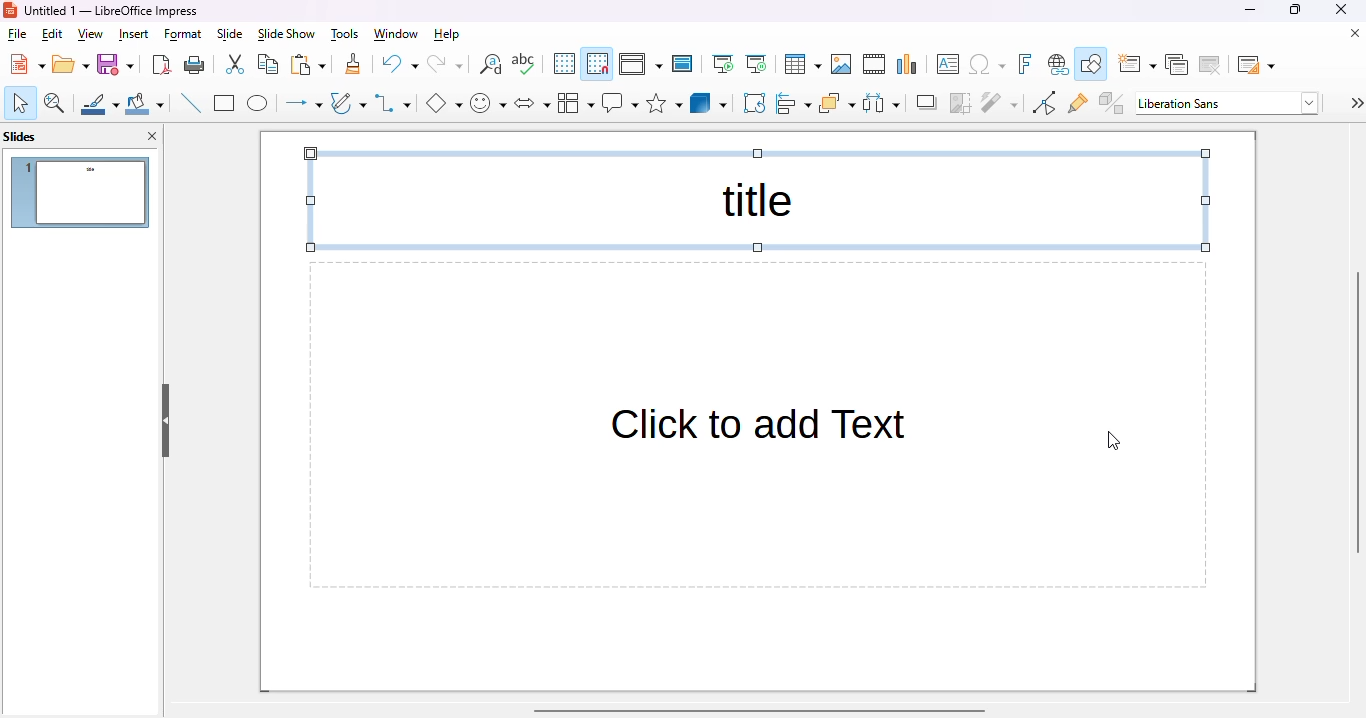  Describe the element at coordinates (195, 65) in the screenshot. I see `print` at that location.